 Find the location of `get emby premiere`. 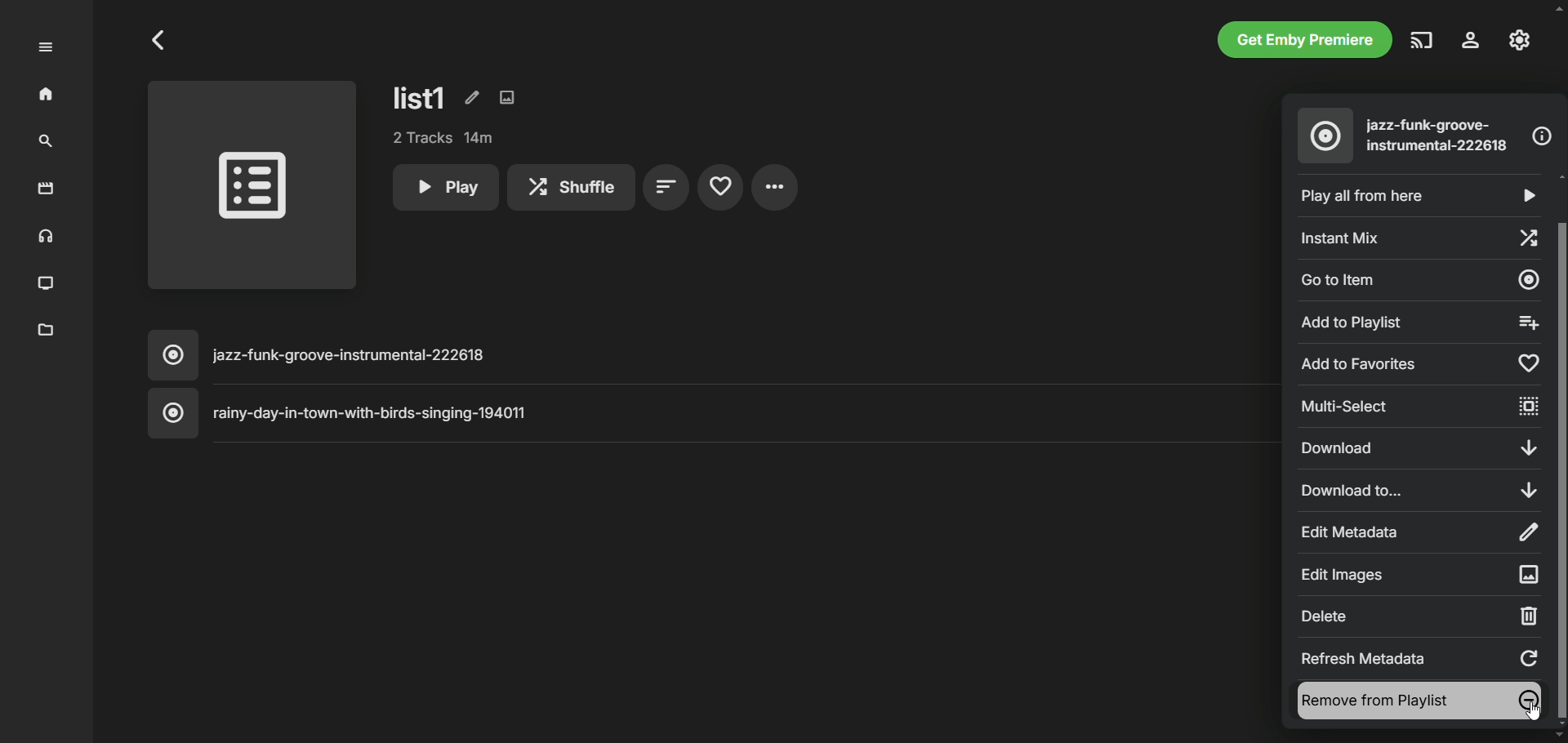

get emby premiere is located at coordinates (1305, 39).